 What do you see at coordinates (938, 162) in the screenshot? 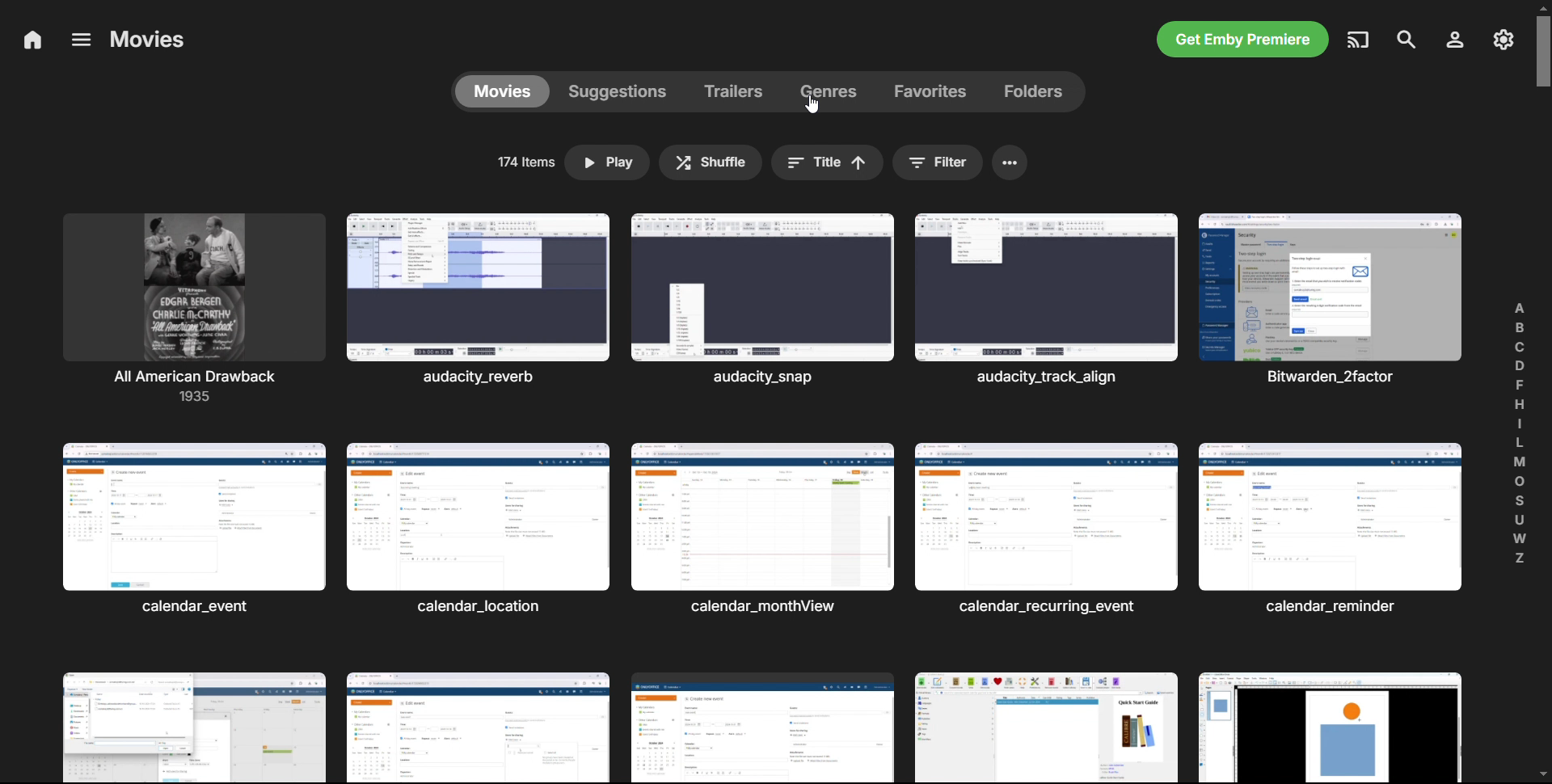
I see `filter` at bounding box center [938, 162].